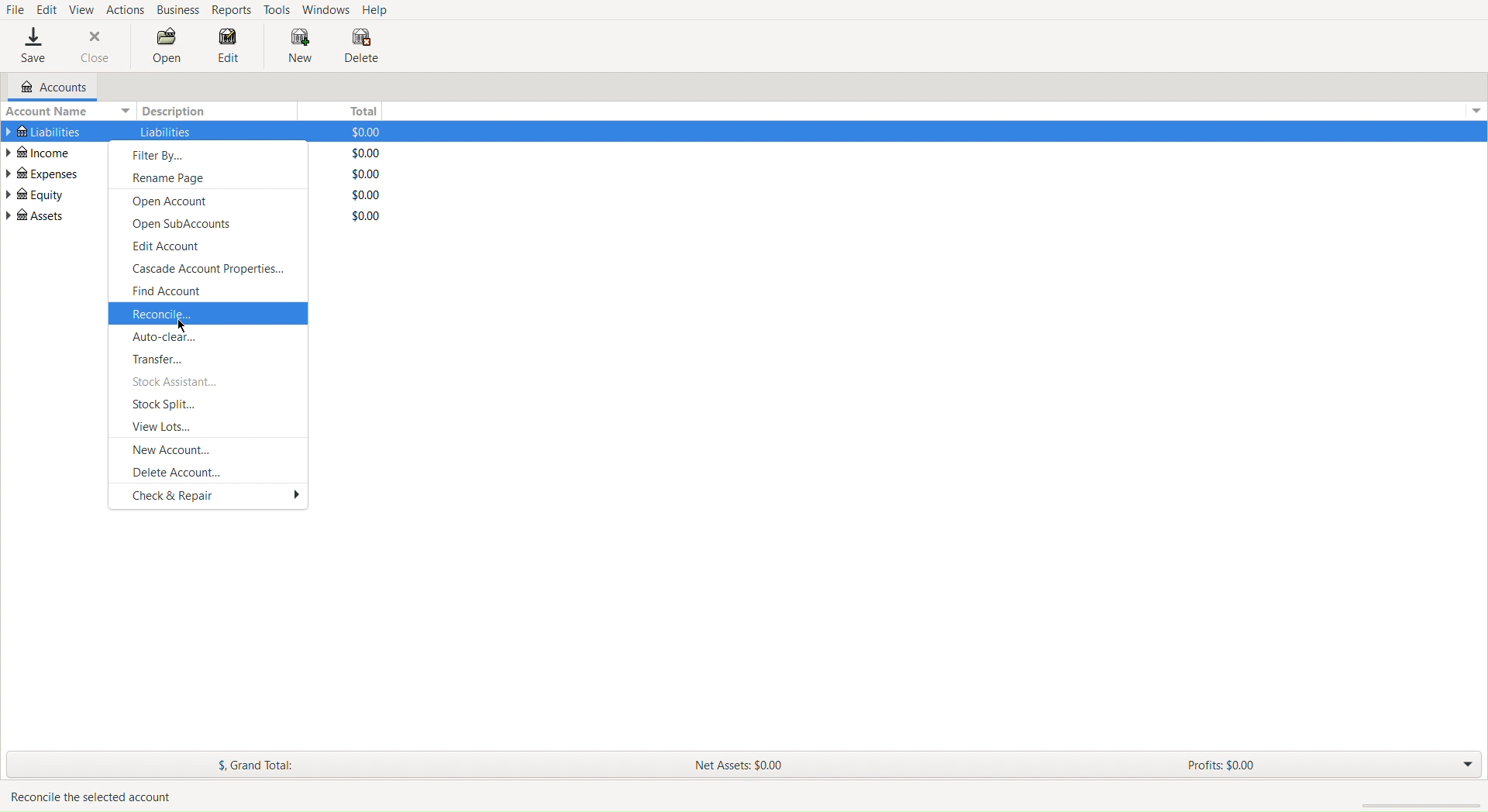 Image resolution: width=1488 pixels, height=812 pixels. Describe the element at coordinates (207, 315) in the screenshot. I see `Reconcile` at that location.